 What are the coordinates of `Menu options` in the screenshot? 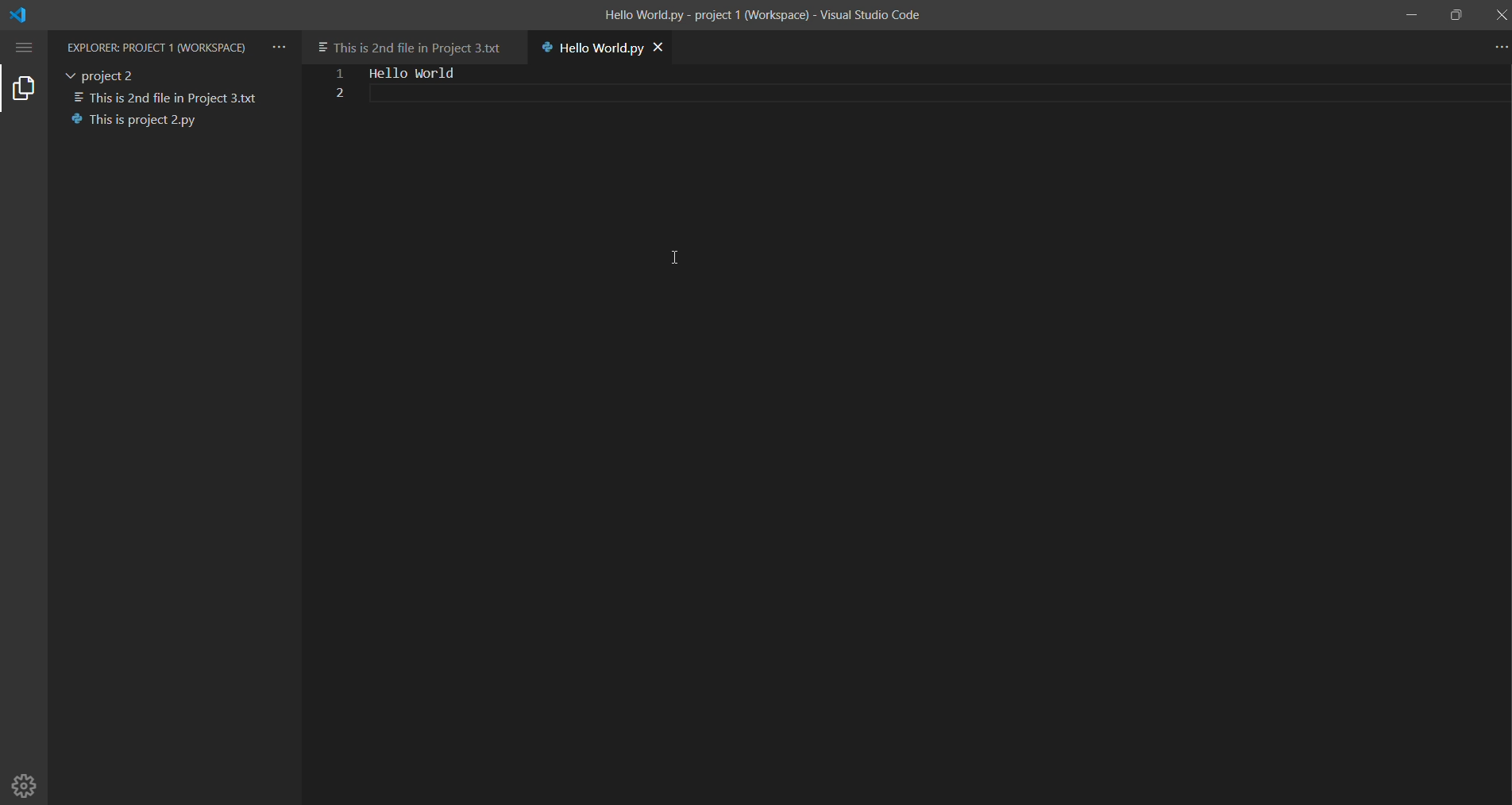 It's located at (26, 47).